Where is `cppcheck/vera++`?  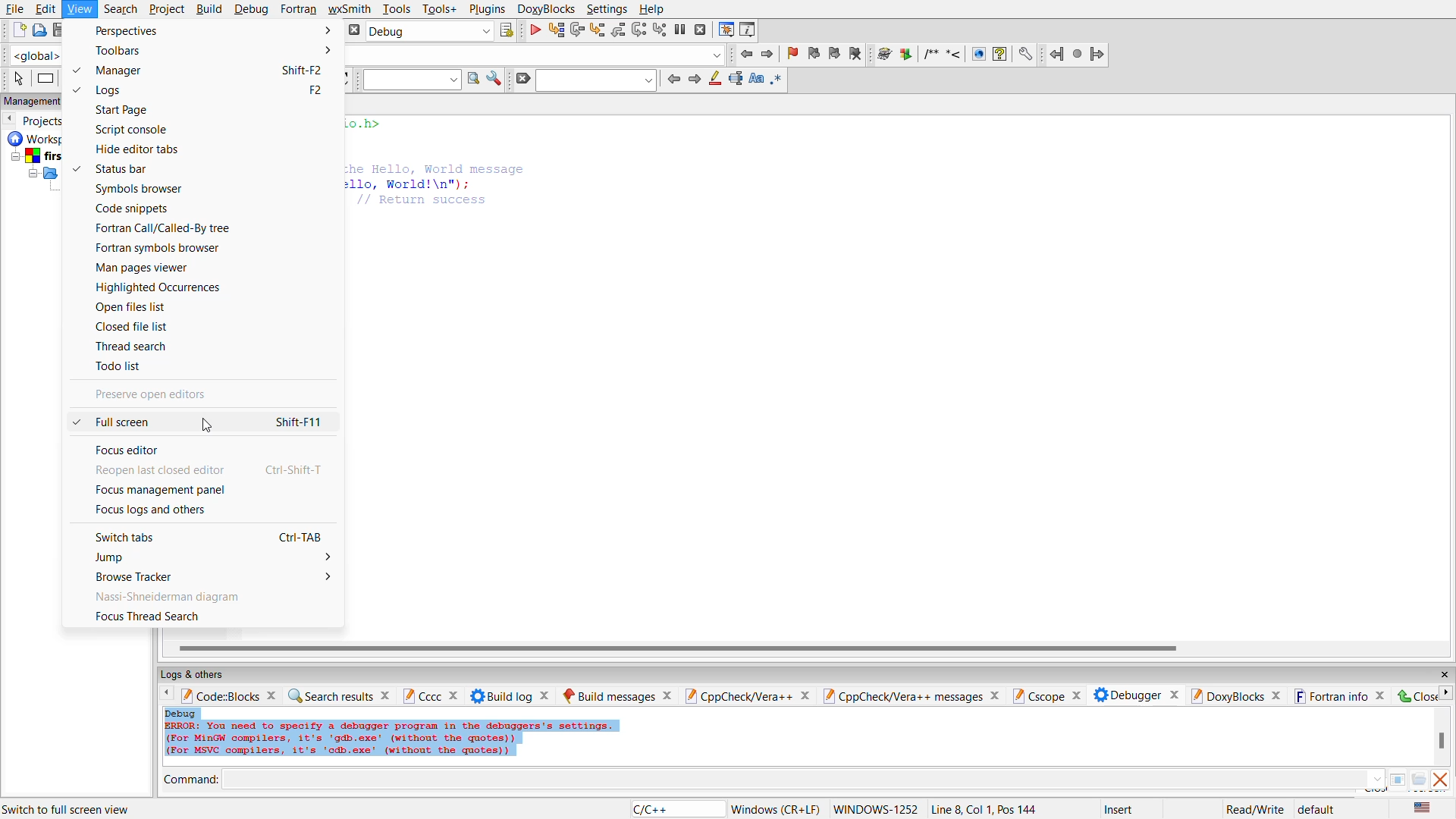
cppcheck/vera++ is located at coordinates (747, 693).